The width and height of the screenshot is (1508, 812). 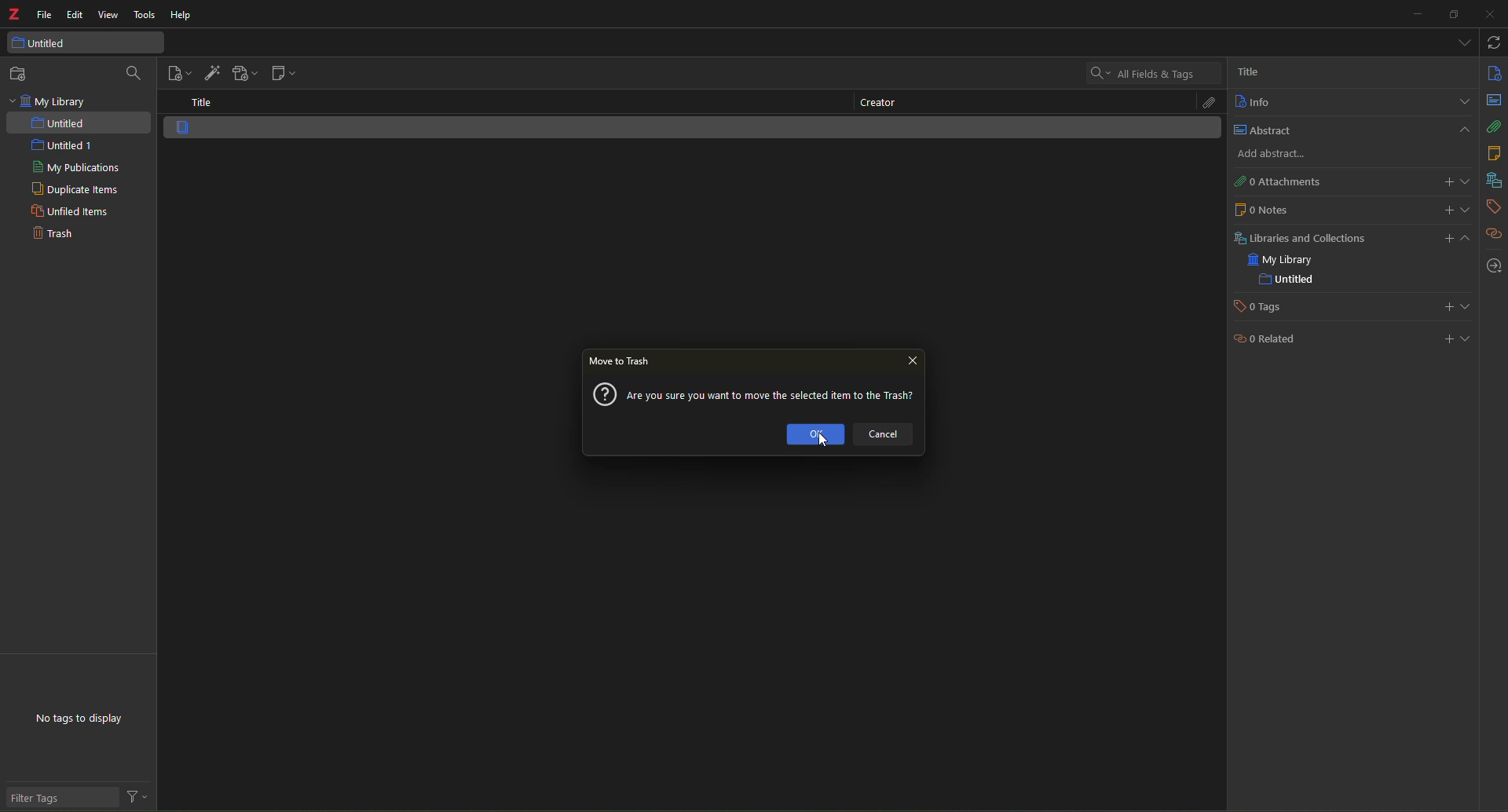 What do you see at coordinates (1265, 342) in the screenshot?
I see `related` at bounding box center [1265, 342].